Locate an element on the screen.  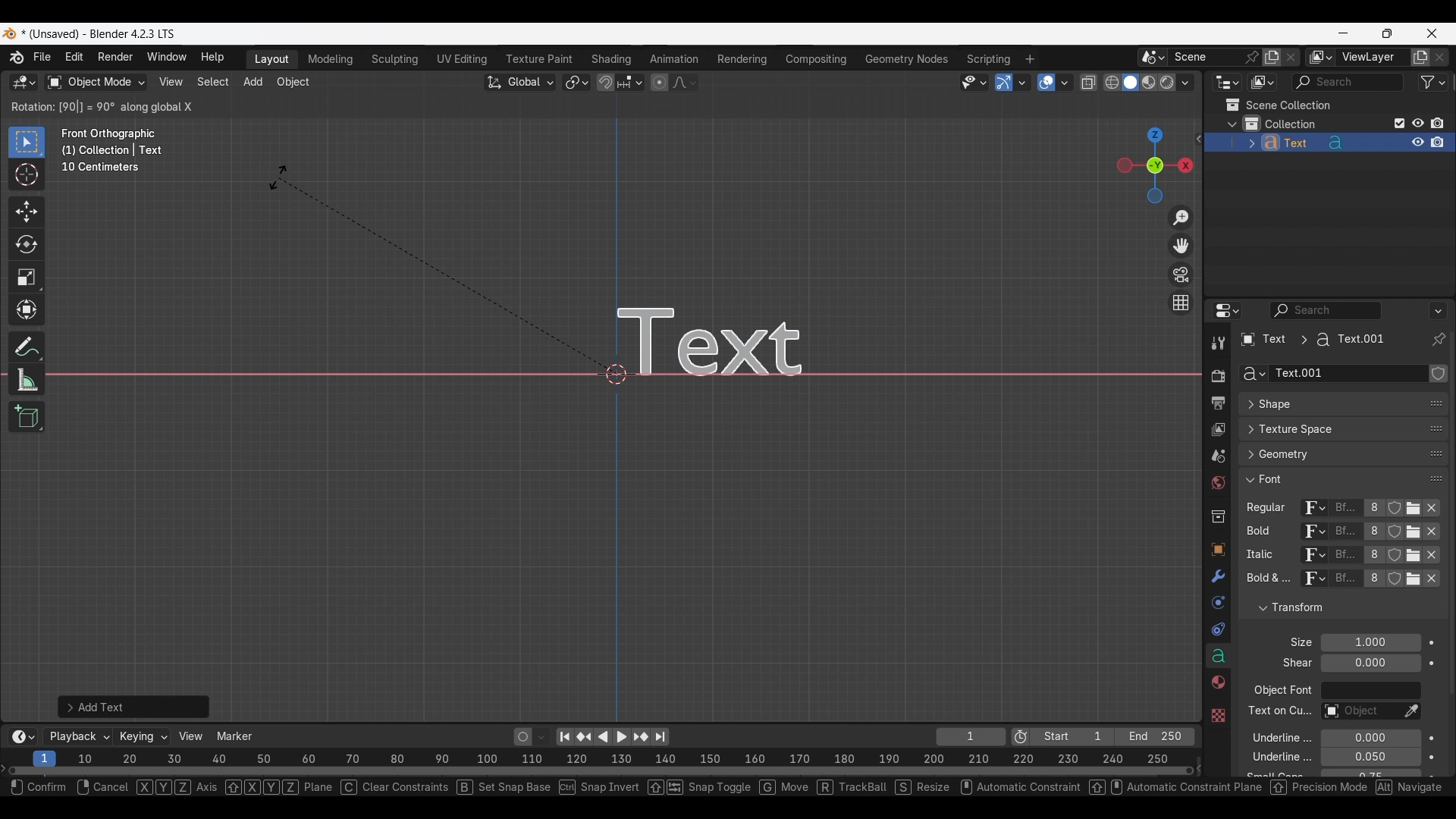
Small caps is located at coordinates (1370, 773).